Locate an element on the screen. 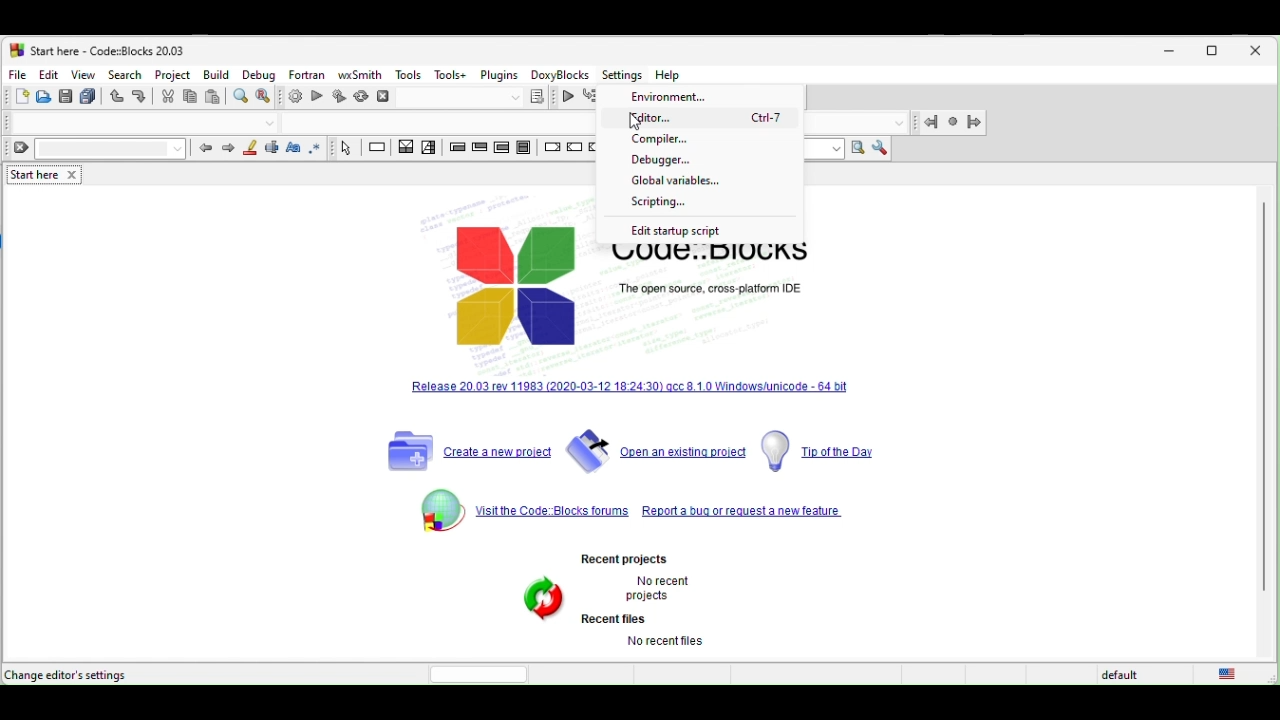 The image size is (1280, 720). jump back is located at coordinates (926, 123).